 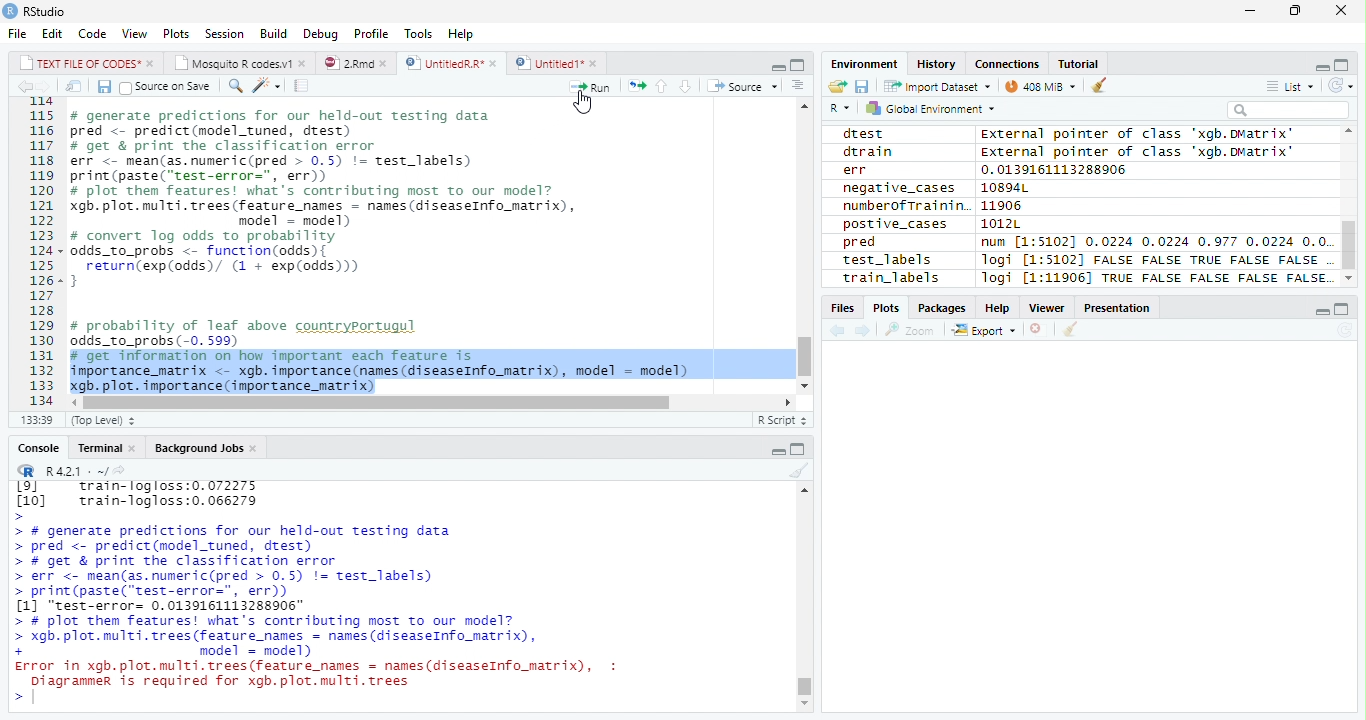 What do you see at coordinates (660, 86) in the screenshot?
I see `Up` at bounding box center [660, 86].